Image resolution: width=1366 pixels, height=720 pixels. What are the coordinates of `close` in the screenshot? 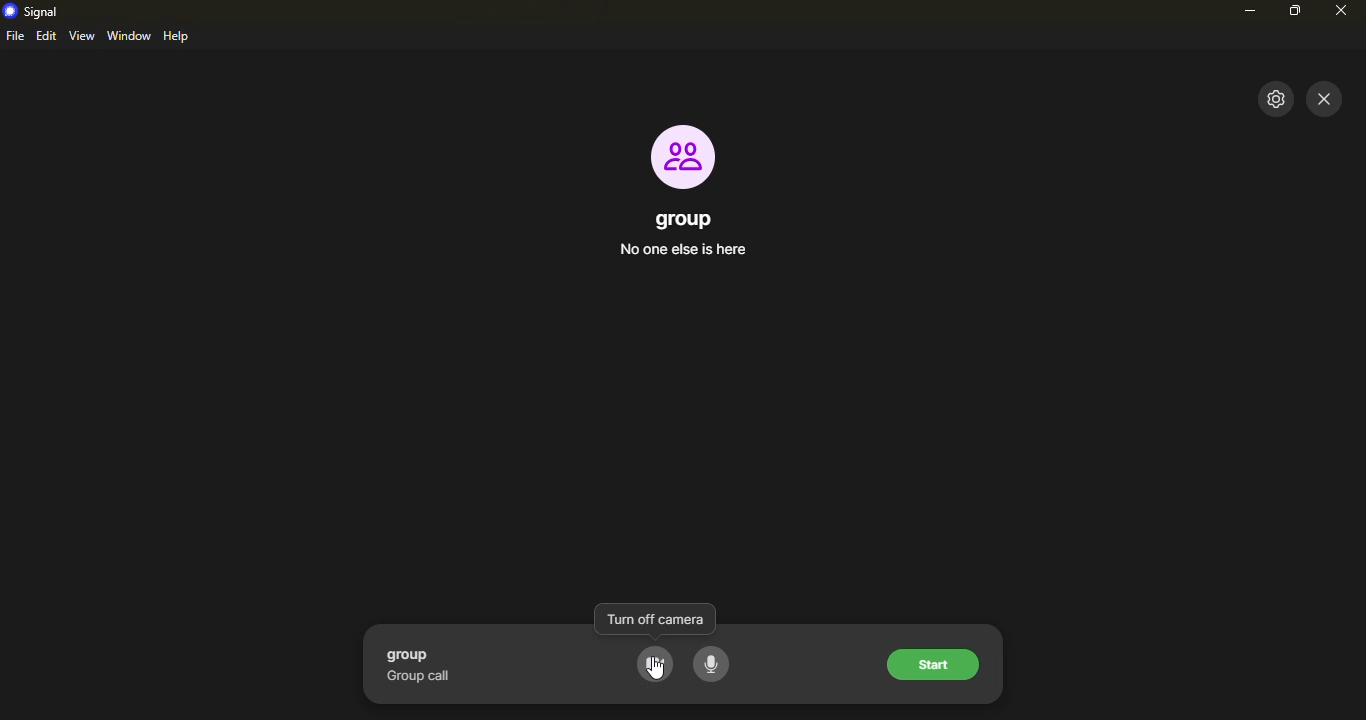 It's located at (1327, 100).